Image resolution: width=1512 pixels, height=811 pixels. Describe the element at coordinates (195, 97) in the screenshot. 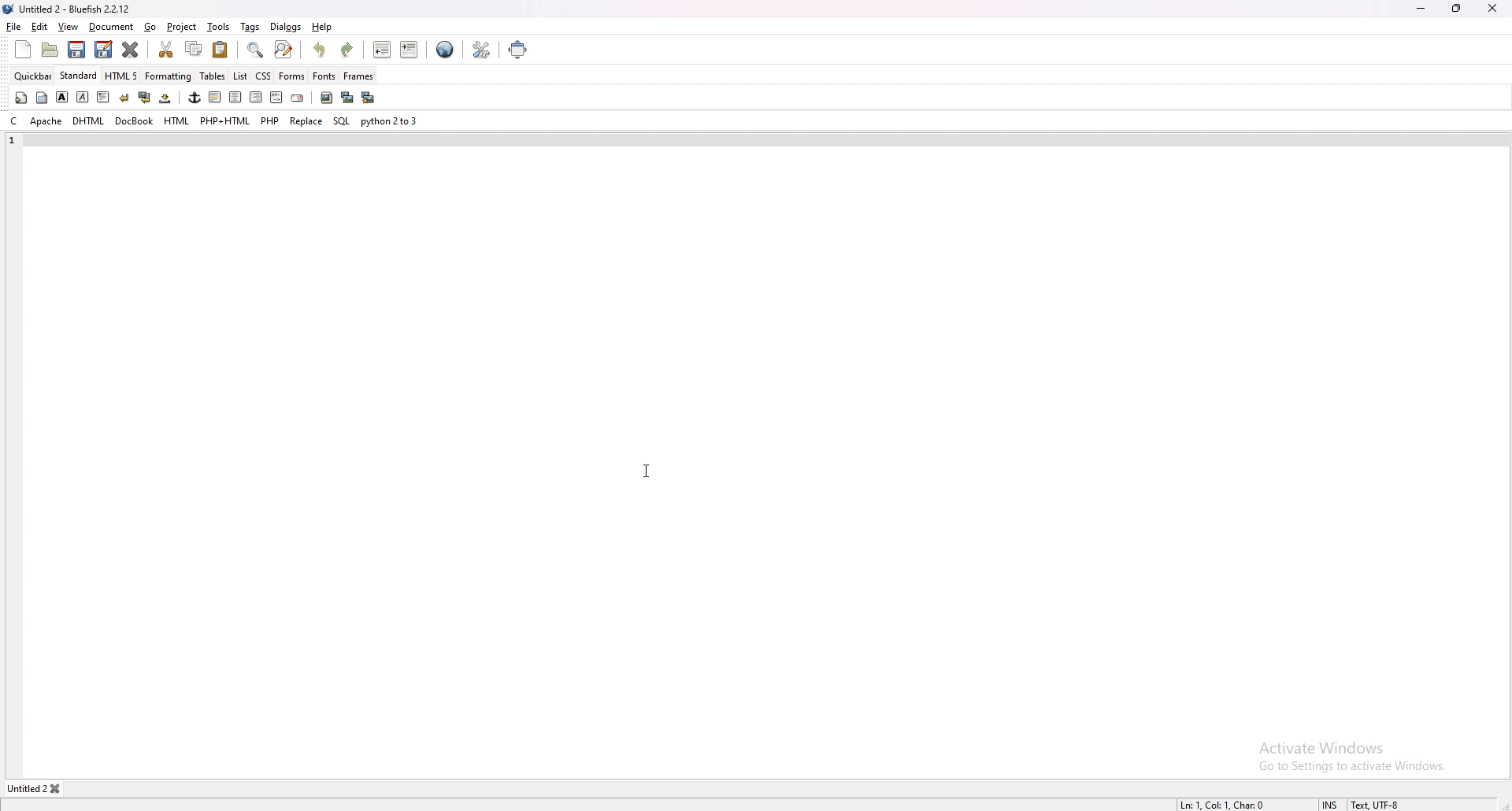

I see `anchor` at that location.